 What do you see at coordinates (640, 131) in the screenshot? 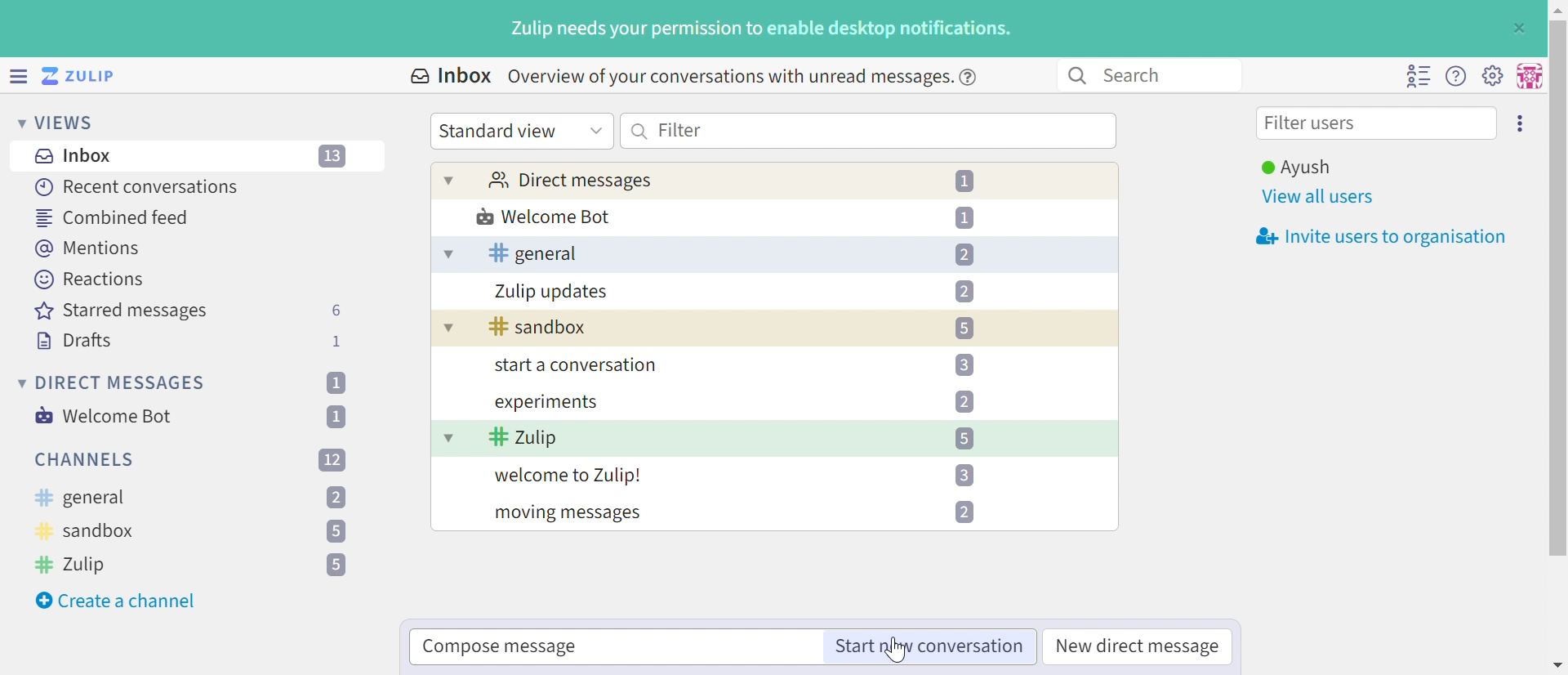
I see `Search` at bounding box center [640, 131].